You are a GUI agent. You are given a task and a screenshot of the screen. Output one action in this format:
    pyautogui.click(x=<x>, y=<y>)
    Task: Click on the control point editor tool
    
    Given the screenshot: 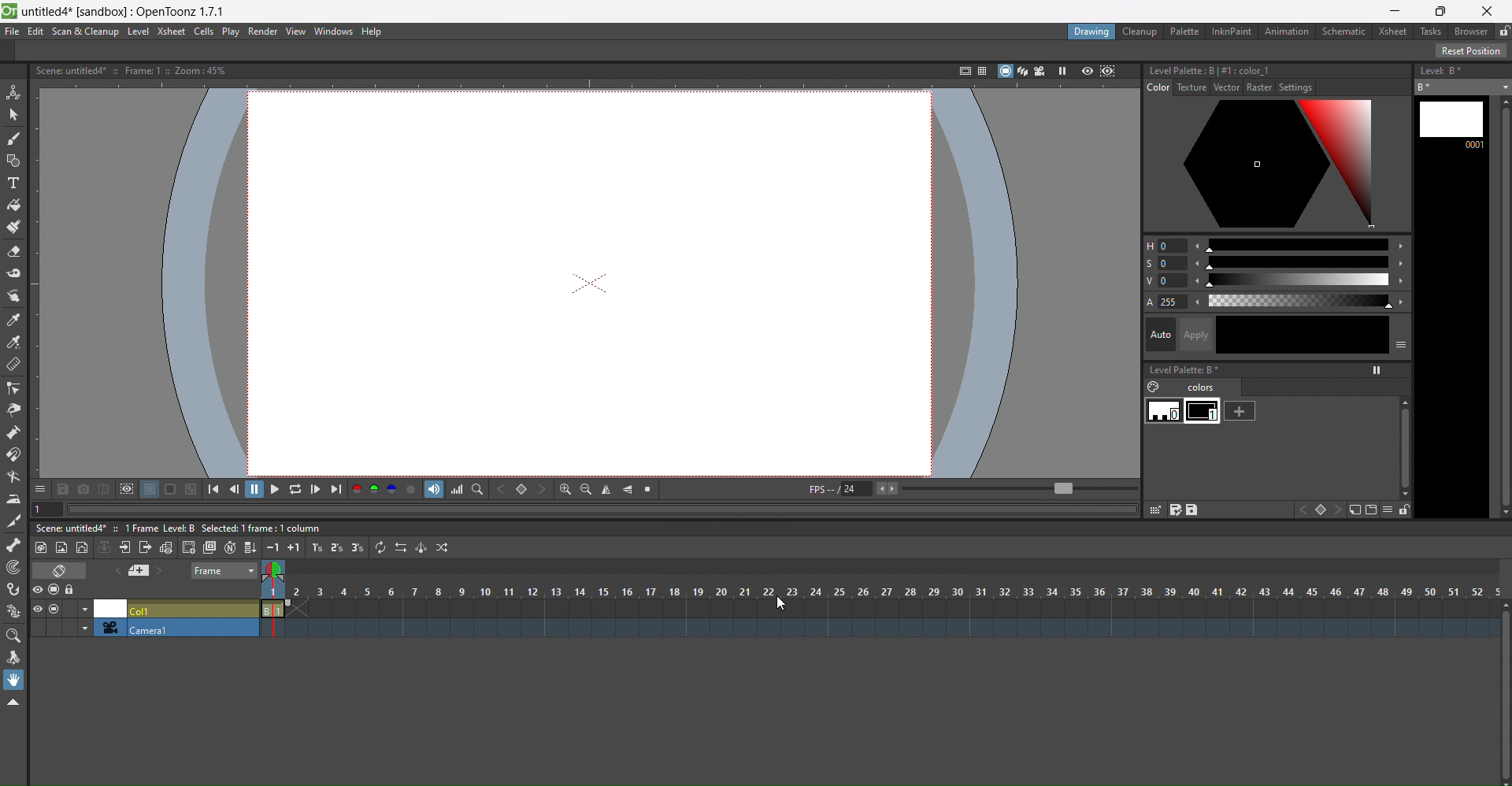 What is the action you would take?
    pyautogui.click(x=13, y=388)
    